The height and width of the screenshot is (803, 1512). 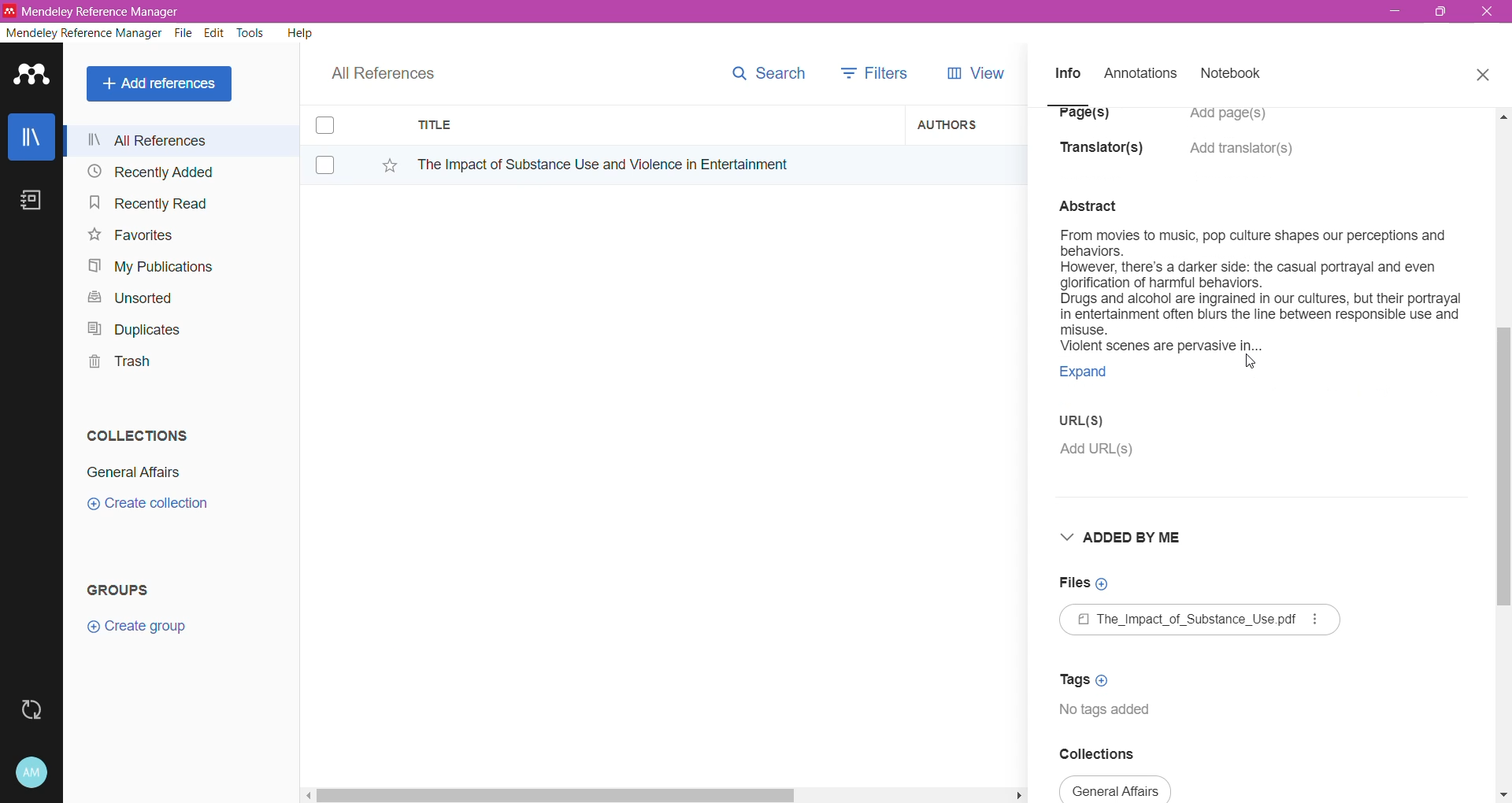 I want to click on Favorites, so click(x=129, y=235).